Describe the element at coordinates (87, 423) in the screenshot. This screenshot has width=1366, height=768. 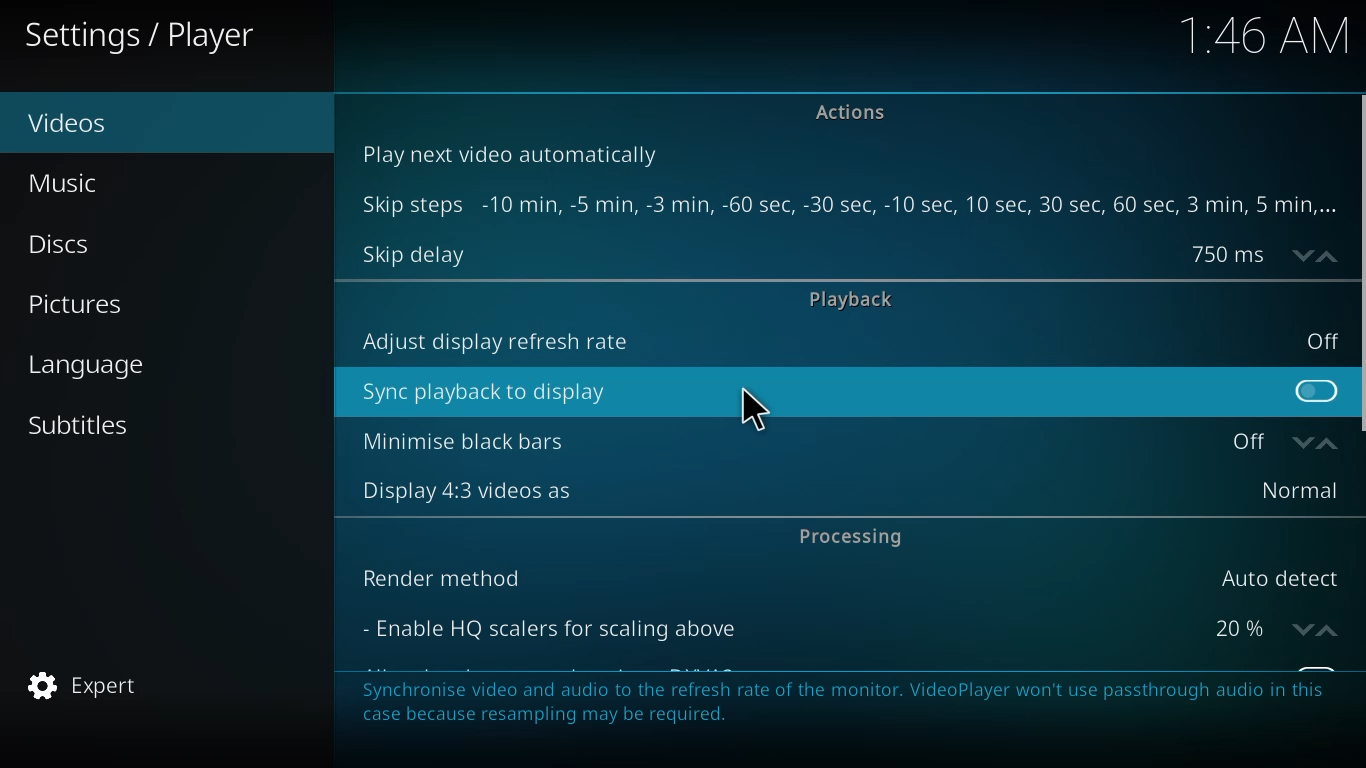
I see `subtitles` at that location.